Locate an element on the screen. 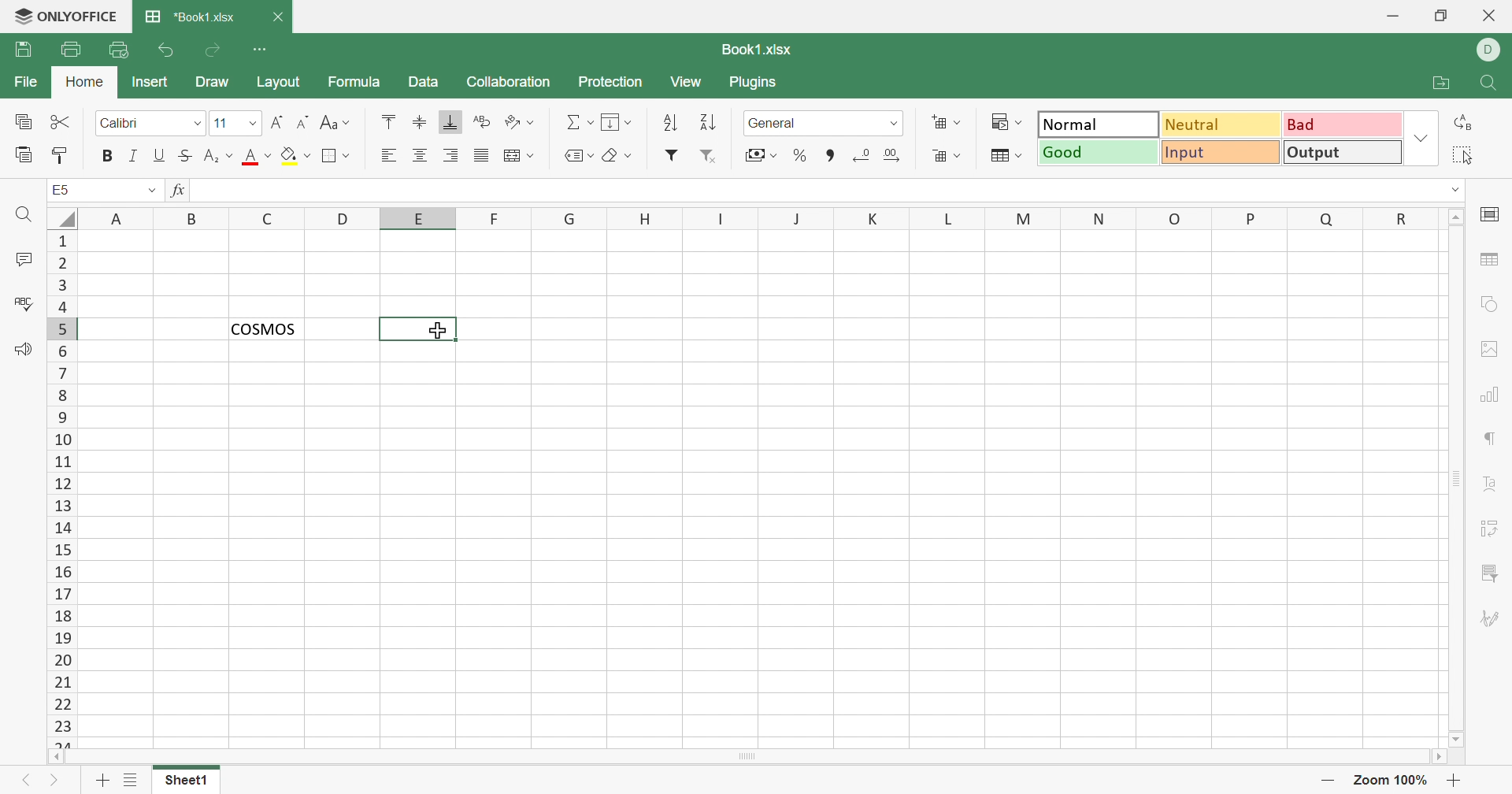  Remove filter is located at coordinates (710, 157).